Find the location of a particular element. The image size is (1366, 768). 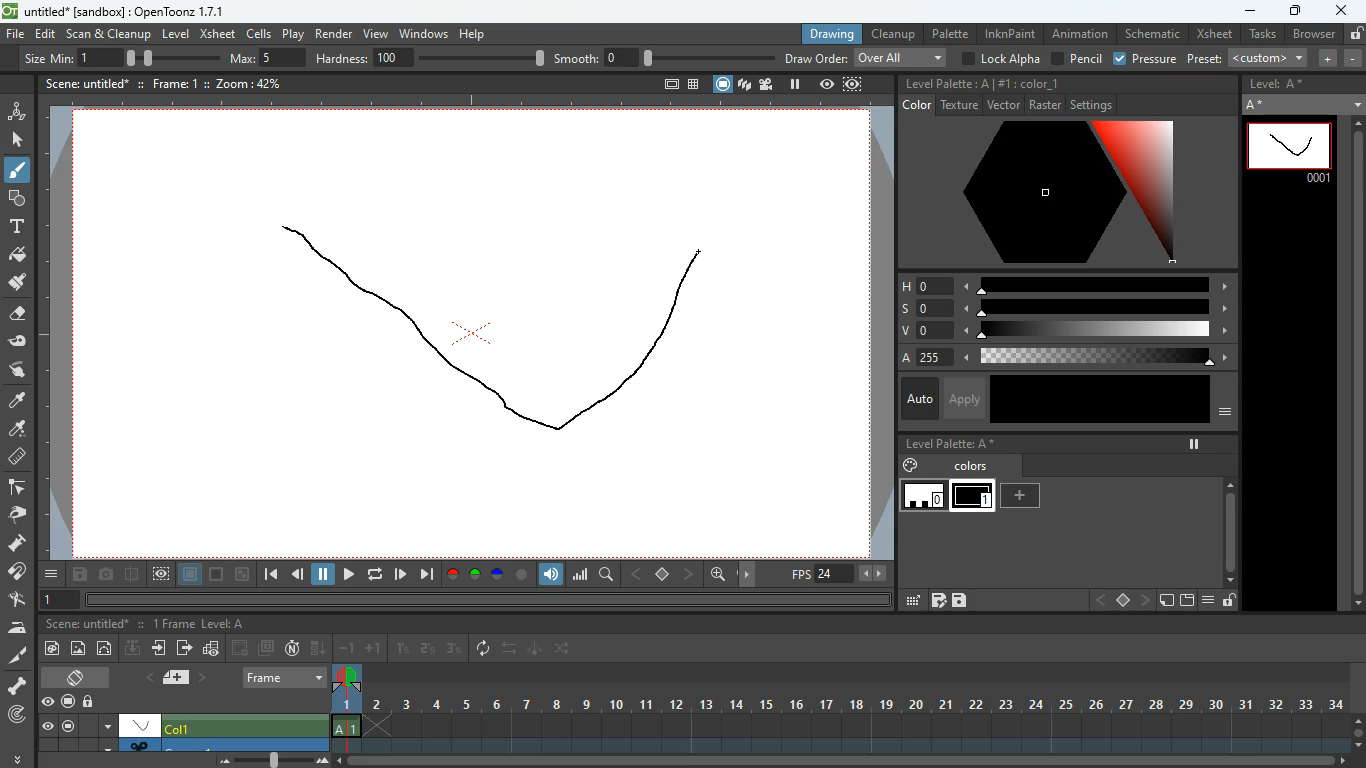

level is located at coordinates (175, 34).